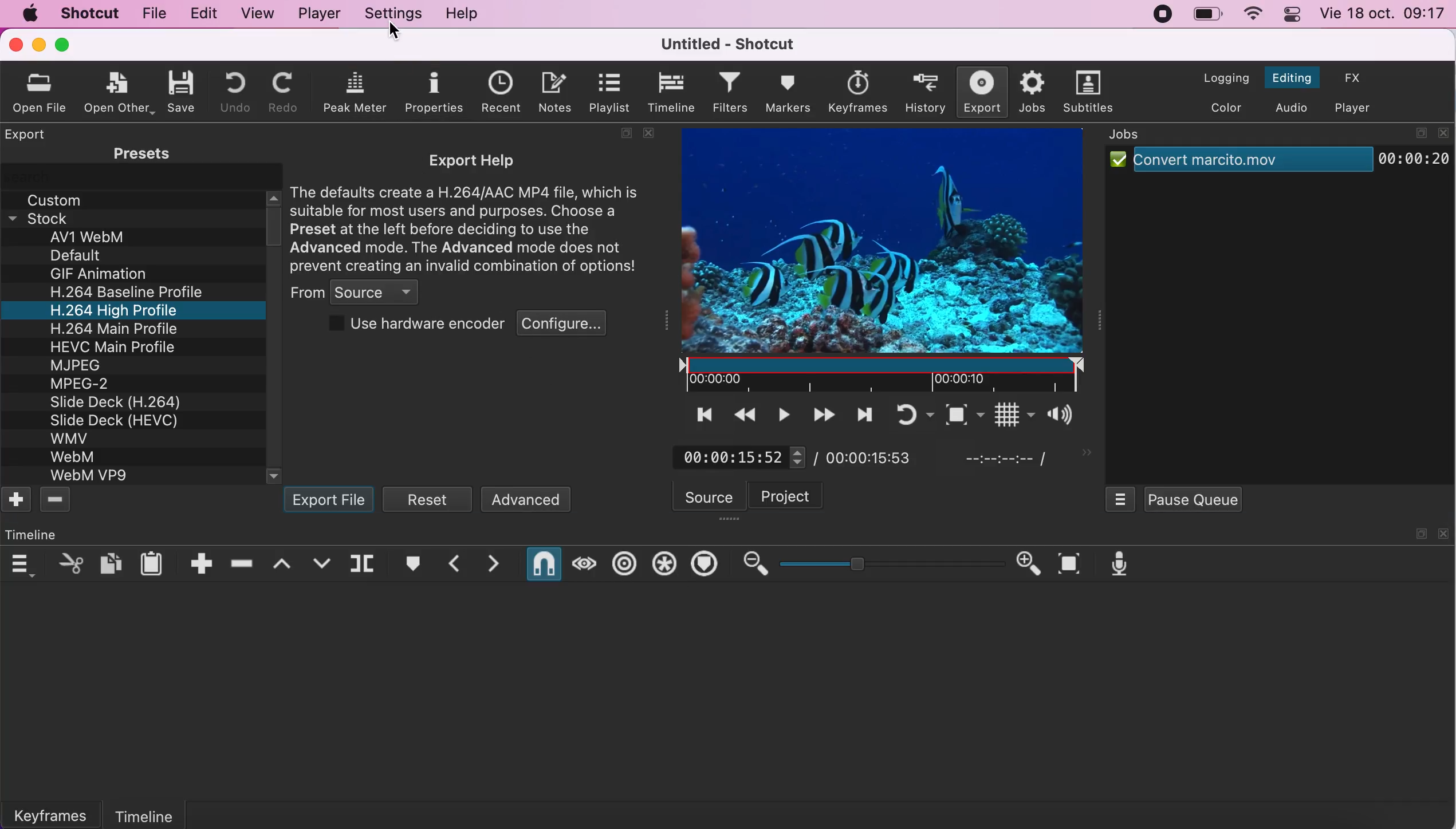 Image resolution: width=1456 pixels, height=829 pixels. I want to click on clip, so click(886, 259).